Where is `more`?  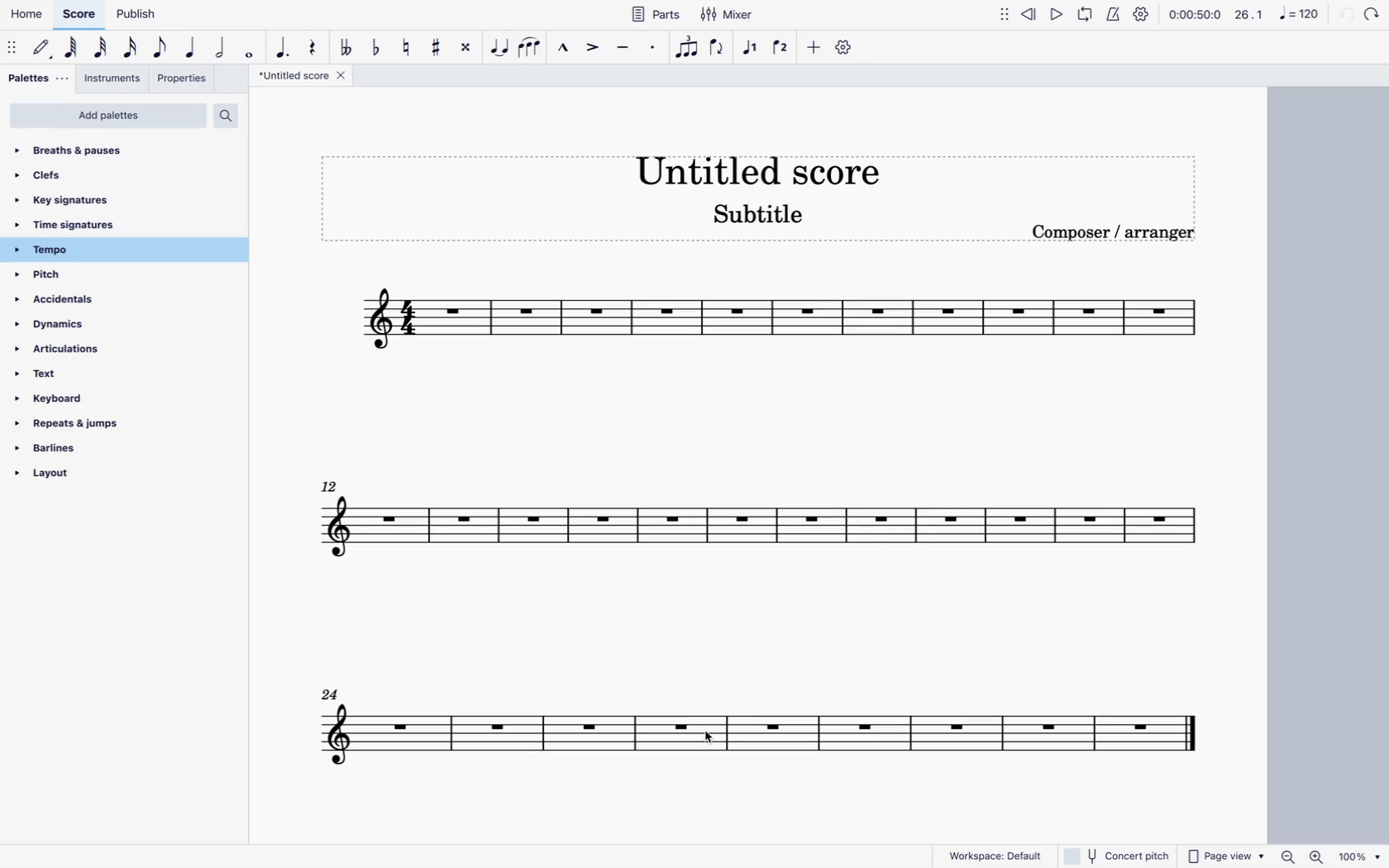 more is located at coordinates (814, 46).